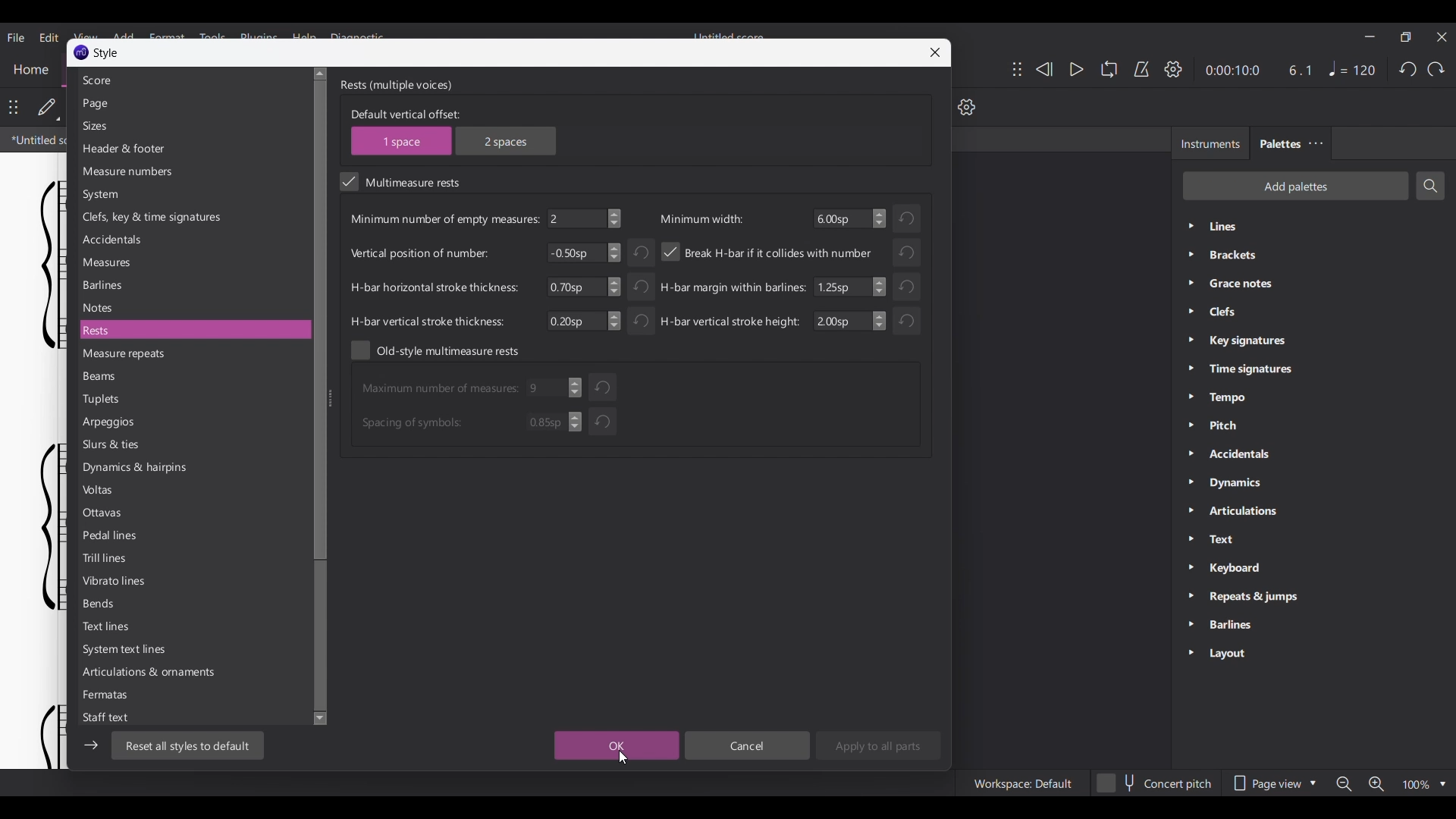  Describe the element at coordinates (30, 70) in the screenshot. I see `Home section` at that location.